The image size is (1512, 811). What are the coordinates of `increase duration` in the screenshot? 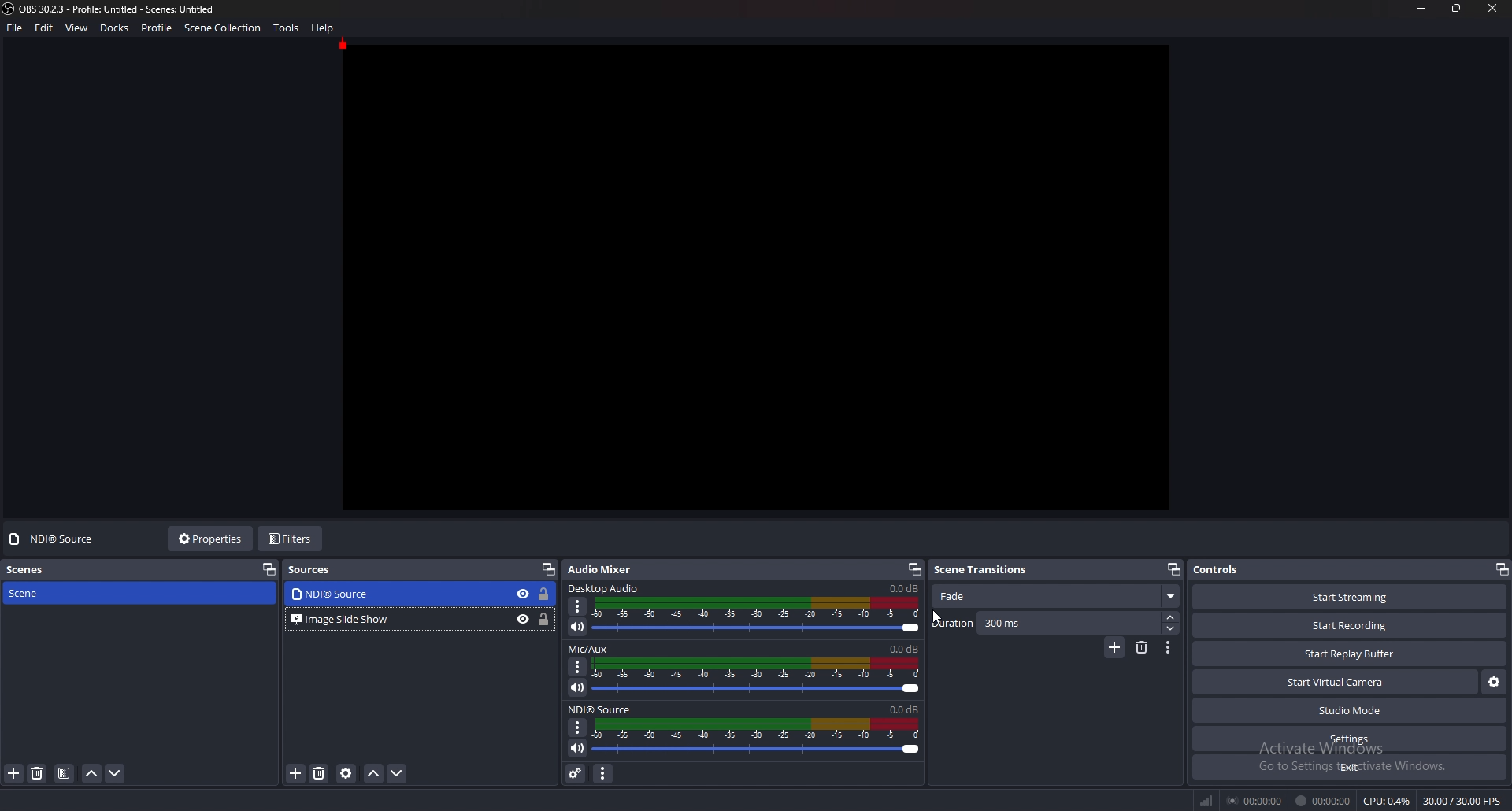 It's located at (1171, 617).